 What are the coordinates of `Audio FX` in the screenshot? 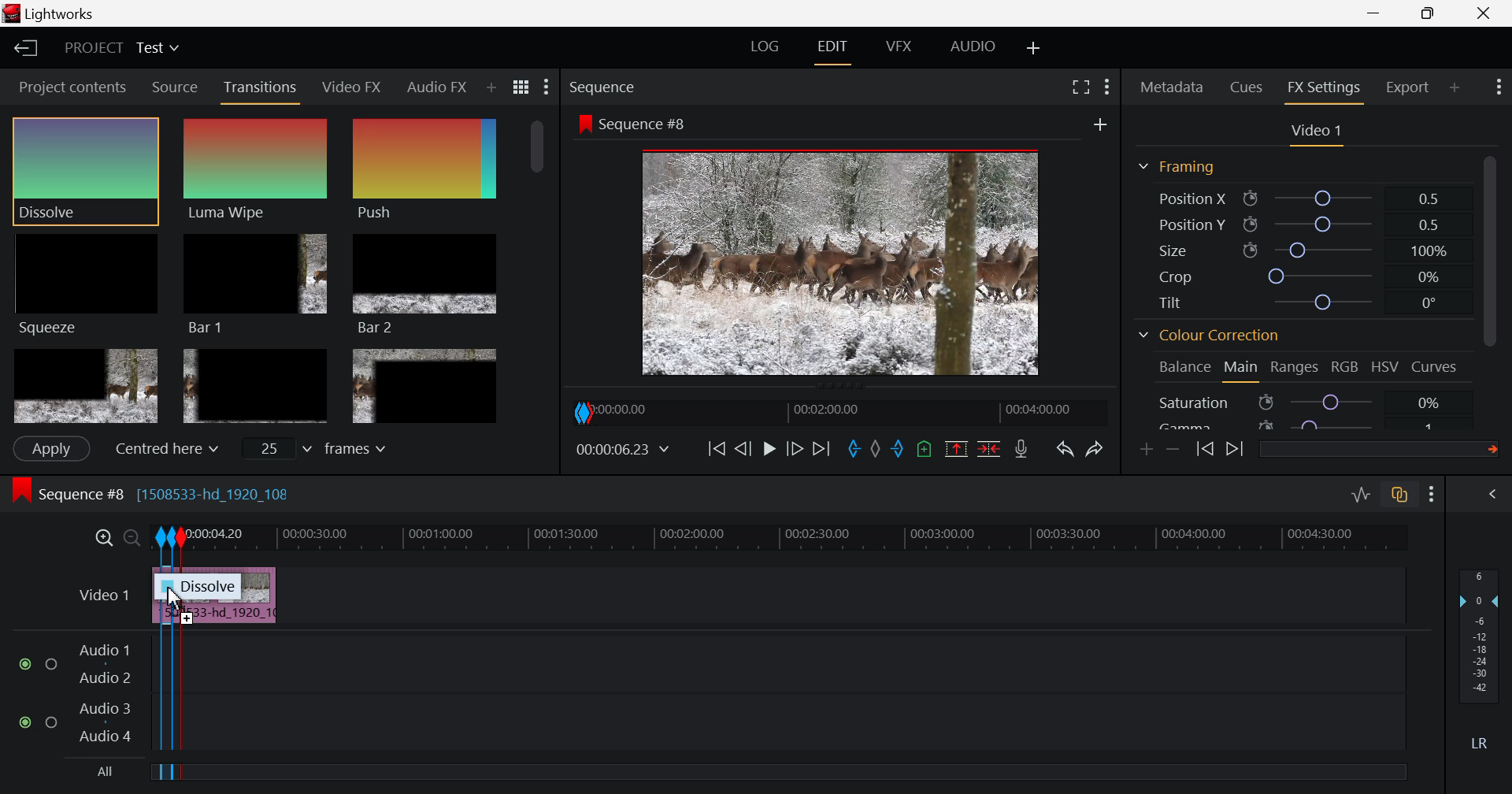 It's located at (435, 88).